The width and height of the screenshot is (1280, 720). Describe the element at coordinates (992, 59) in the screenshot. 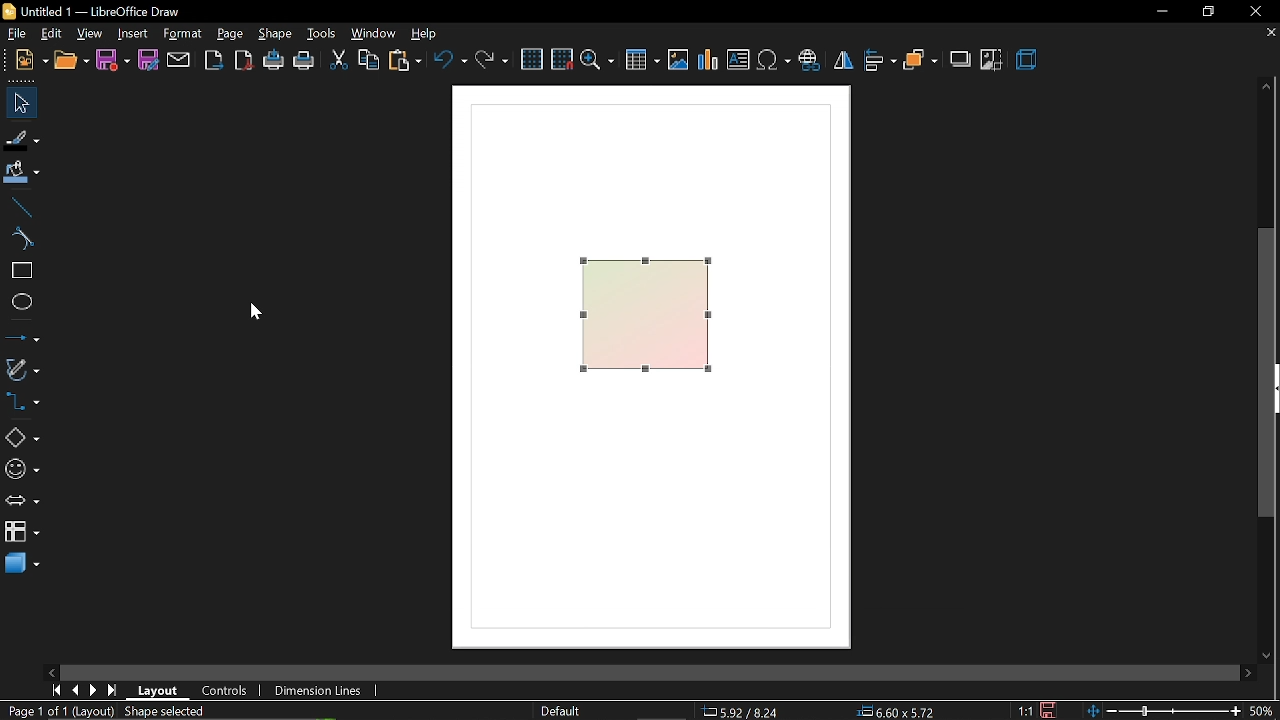

I see `crop` at that location.